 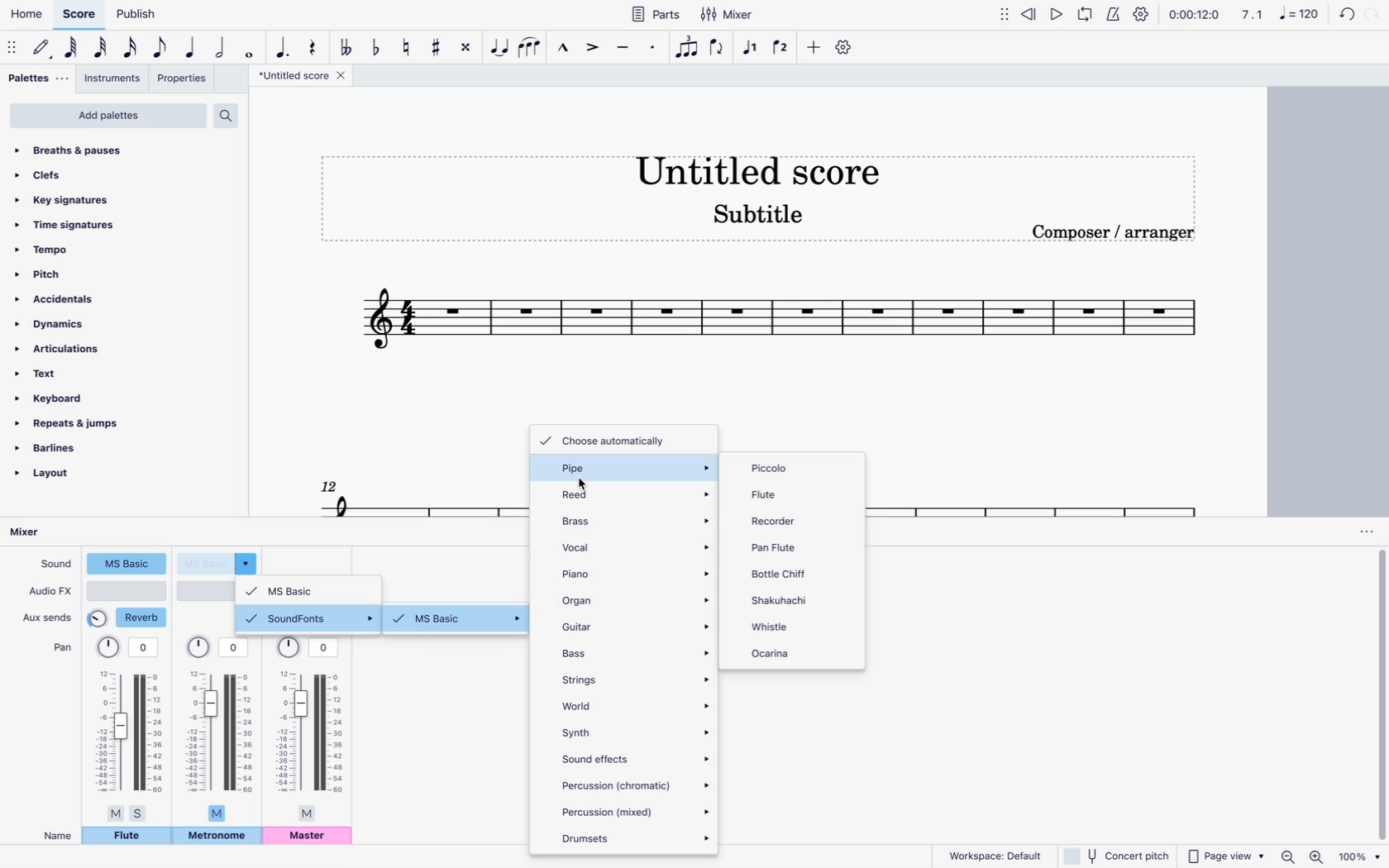 What do you see at coordinates (107, 116) in the screenshot?
I see `add palettes` at bounding box center [107, 116].